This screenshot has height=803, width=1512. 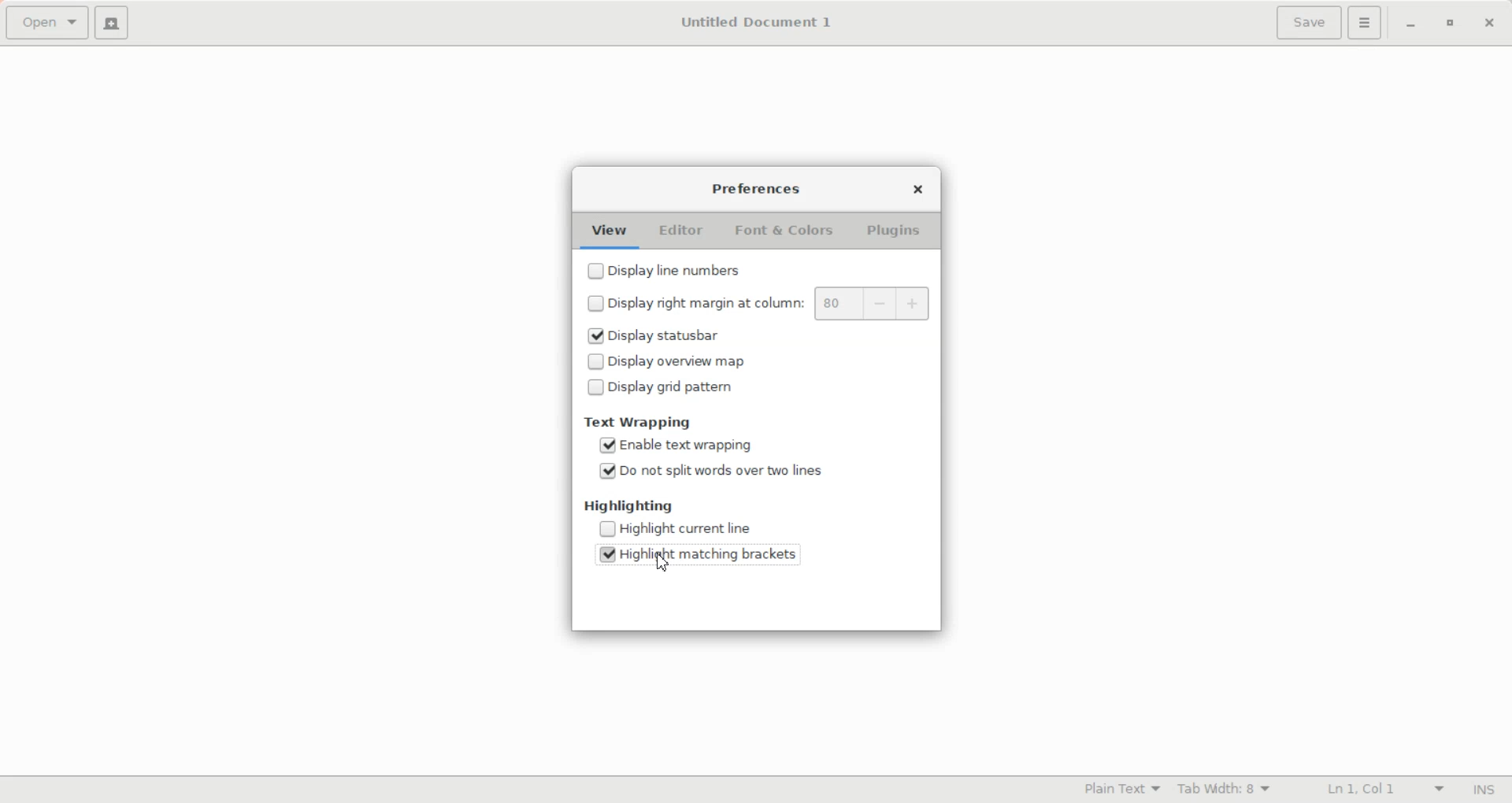 I want to click on Open file, so click(x=46, y=24).